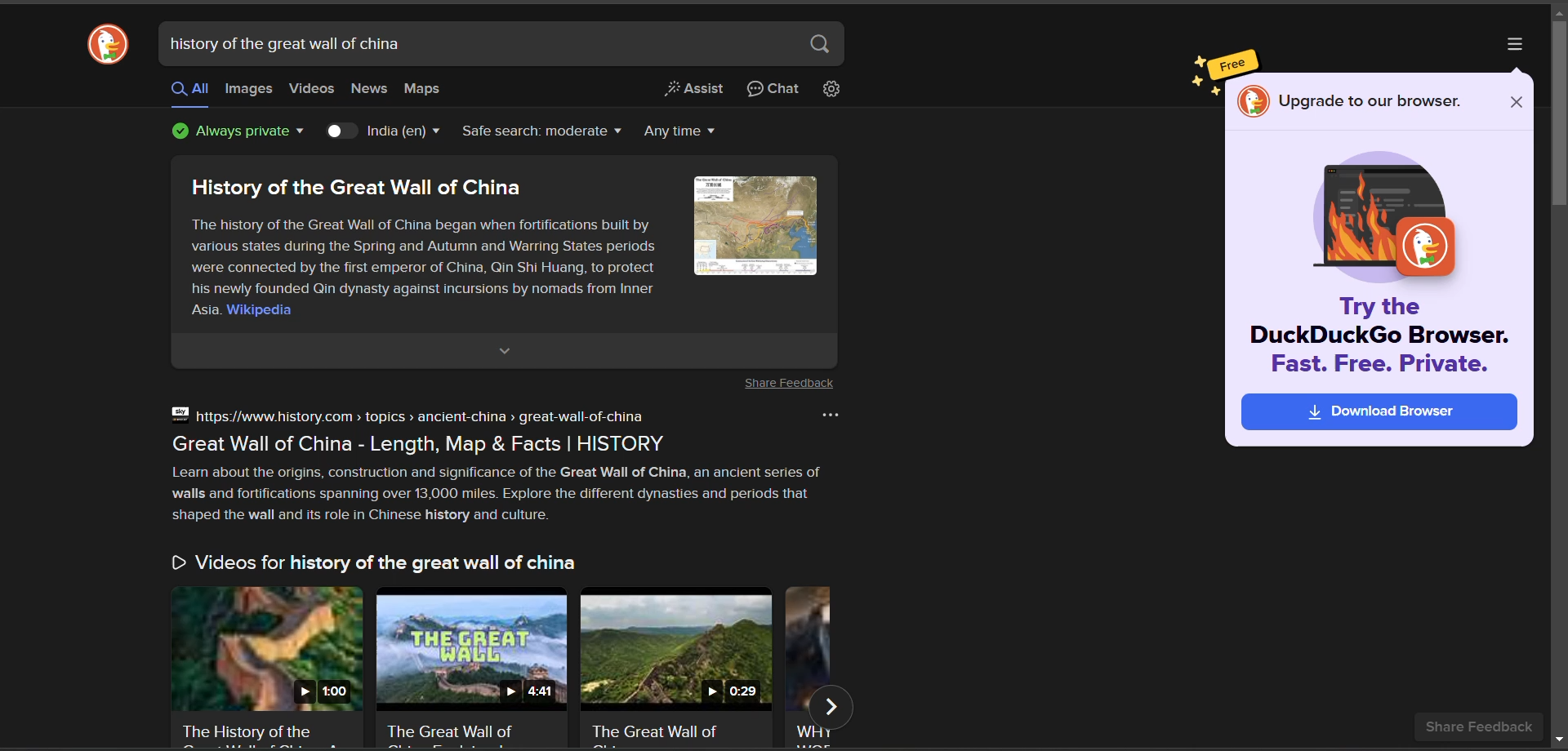 This screenshot has height=751, width=1568. Describe the element at coordinates (439, 273) in the screenshot. I see `The history of the Great Wall of China began when fortifications built by

various states during the Spring and Autumn and Warring States periods
were connected by the first emperor of China, Qin Shi Huang, to protect
his newly founded Qin dynasty against incursions by nomads from Inner
Asia. Wikipedia` at that location.